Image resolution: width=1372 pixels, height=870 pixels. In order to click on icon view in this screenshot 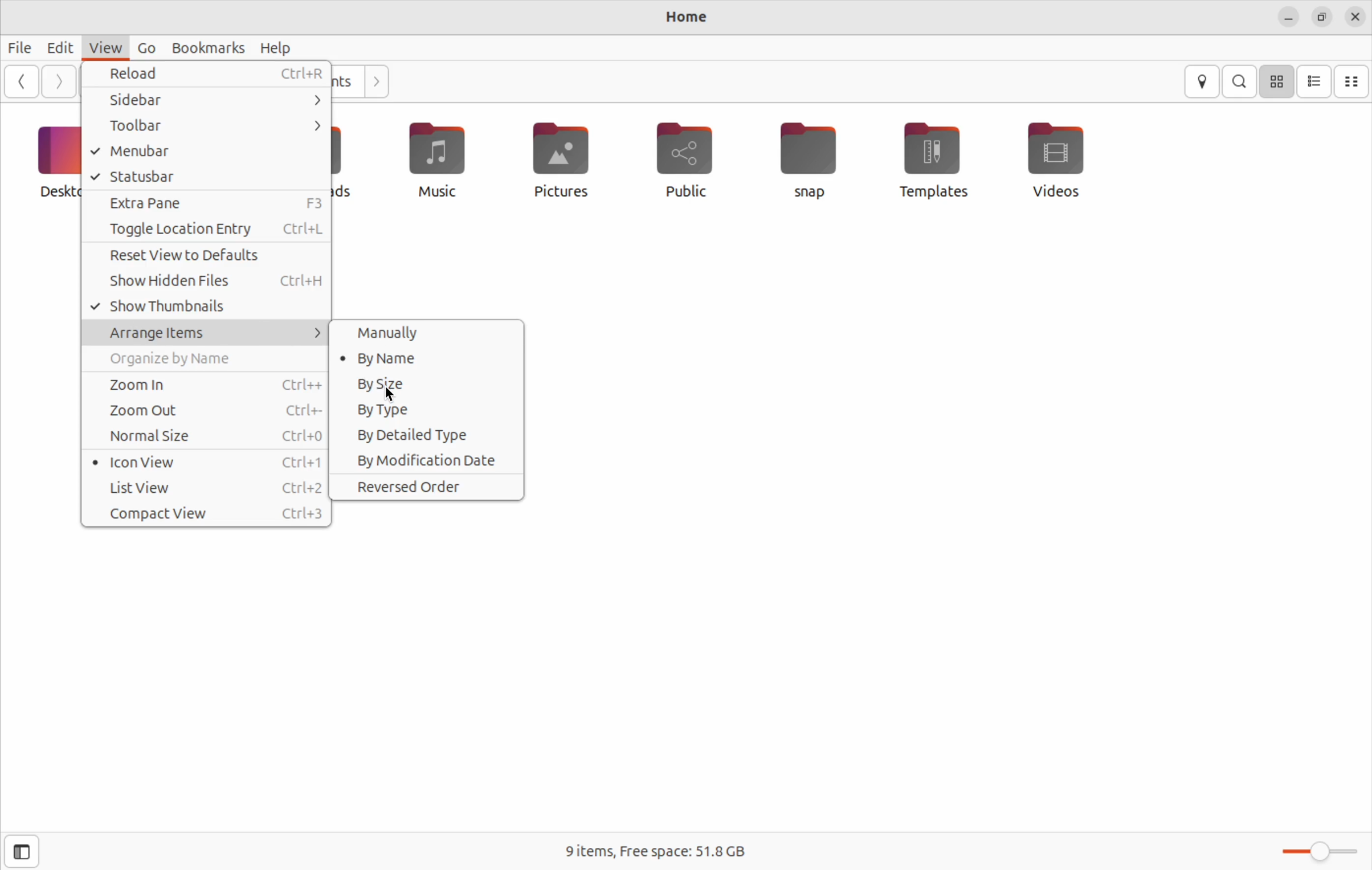, I will do `click(1276, 83)`.